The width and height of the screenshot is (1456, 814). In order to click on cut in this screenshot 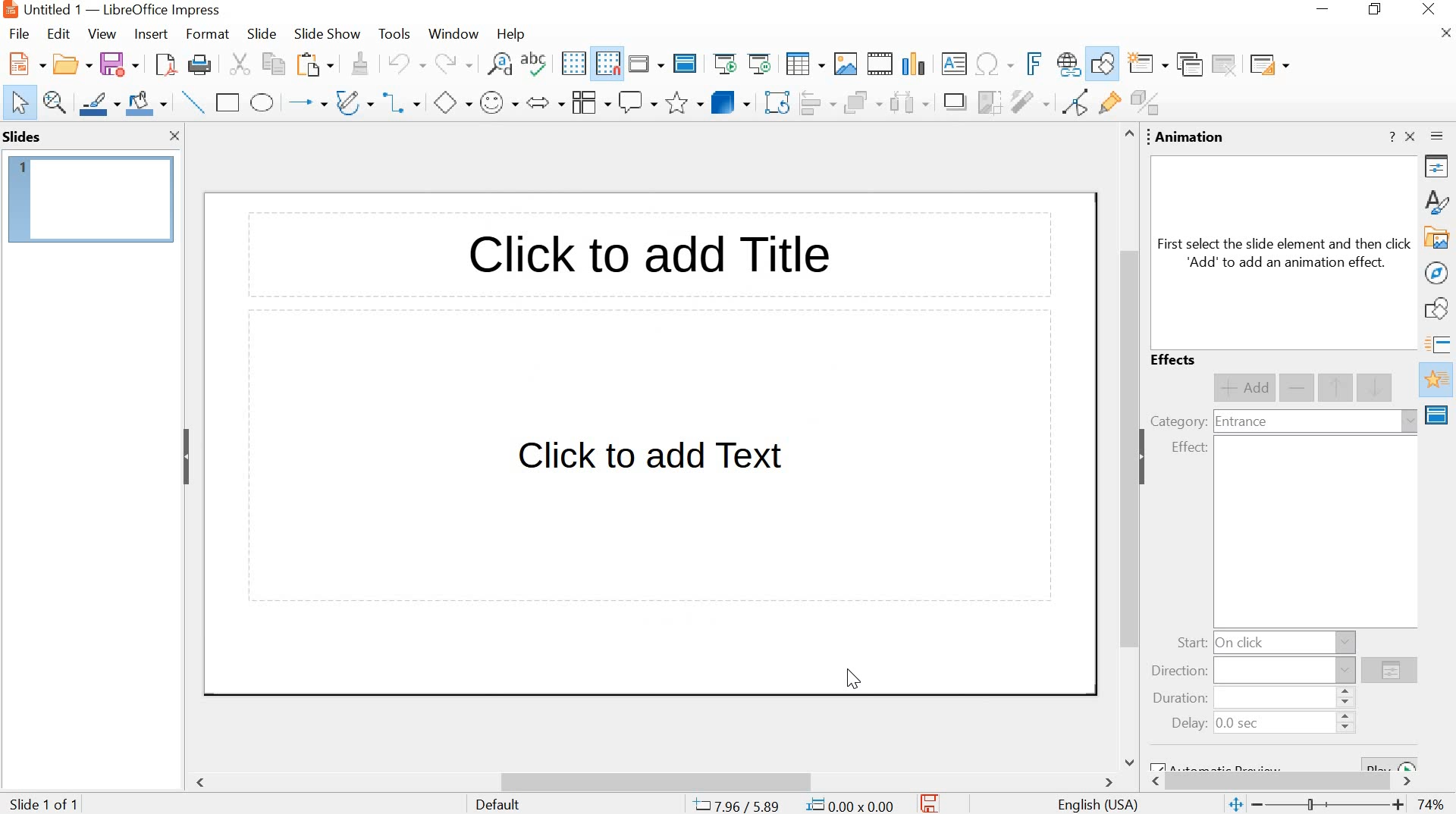, I will do `click(238, 65)`.